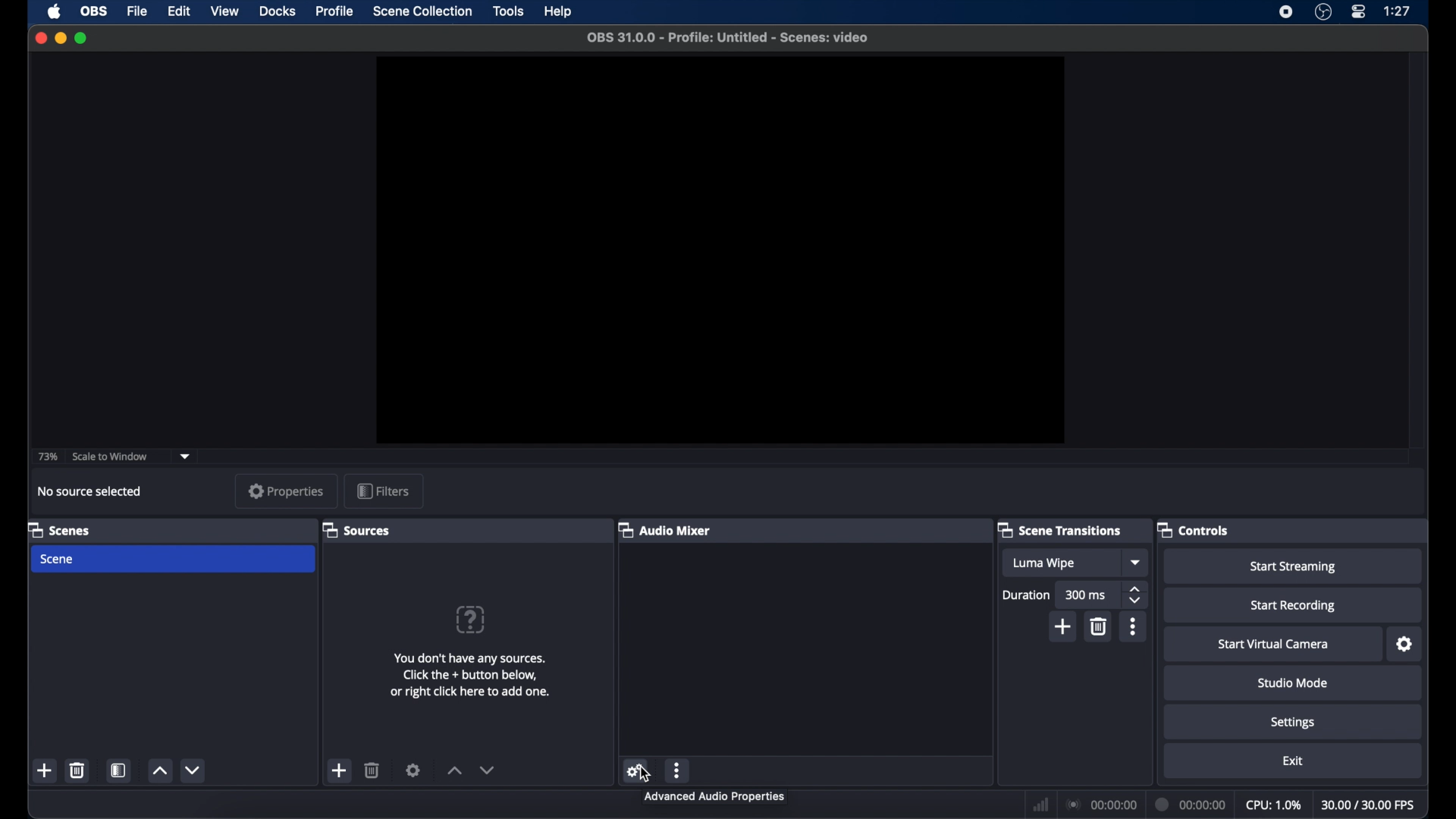  Describe the element at coordinates (333, 12) in the screenshot. I see `profile` at that location.